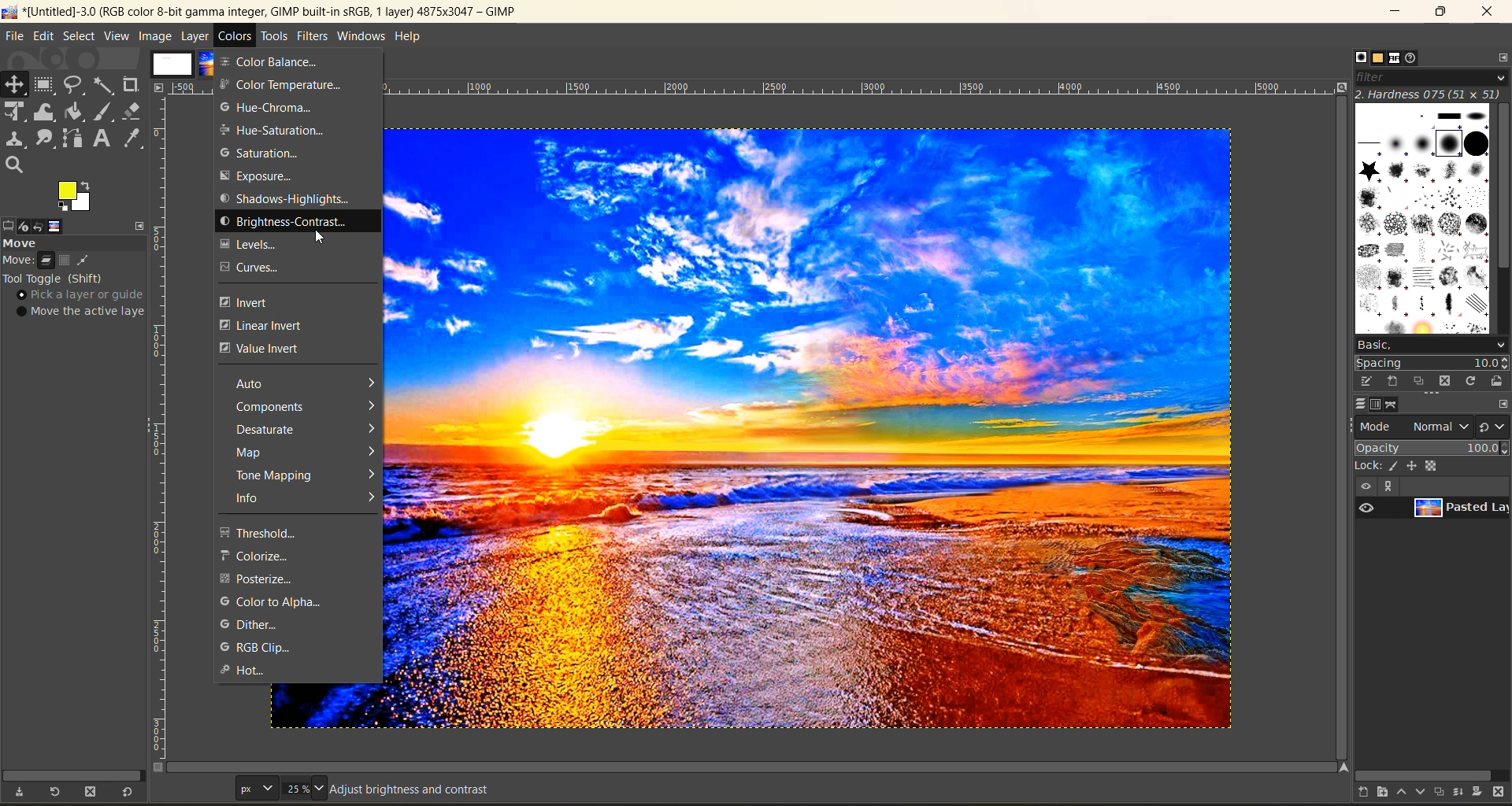 The width and height of the screenshot is (1512, 806). What do you see at coordinates (1465, 794) in the screenshot?
I see `merge this layer` at bounding box center [1465, 794].